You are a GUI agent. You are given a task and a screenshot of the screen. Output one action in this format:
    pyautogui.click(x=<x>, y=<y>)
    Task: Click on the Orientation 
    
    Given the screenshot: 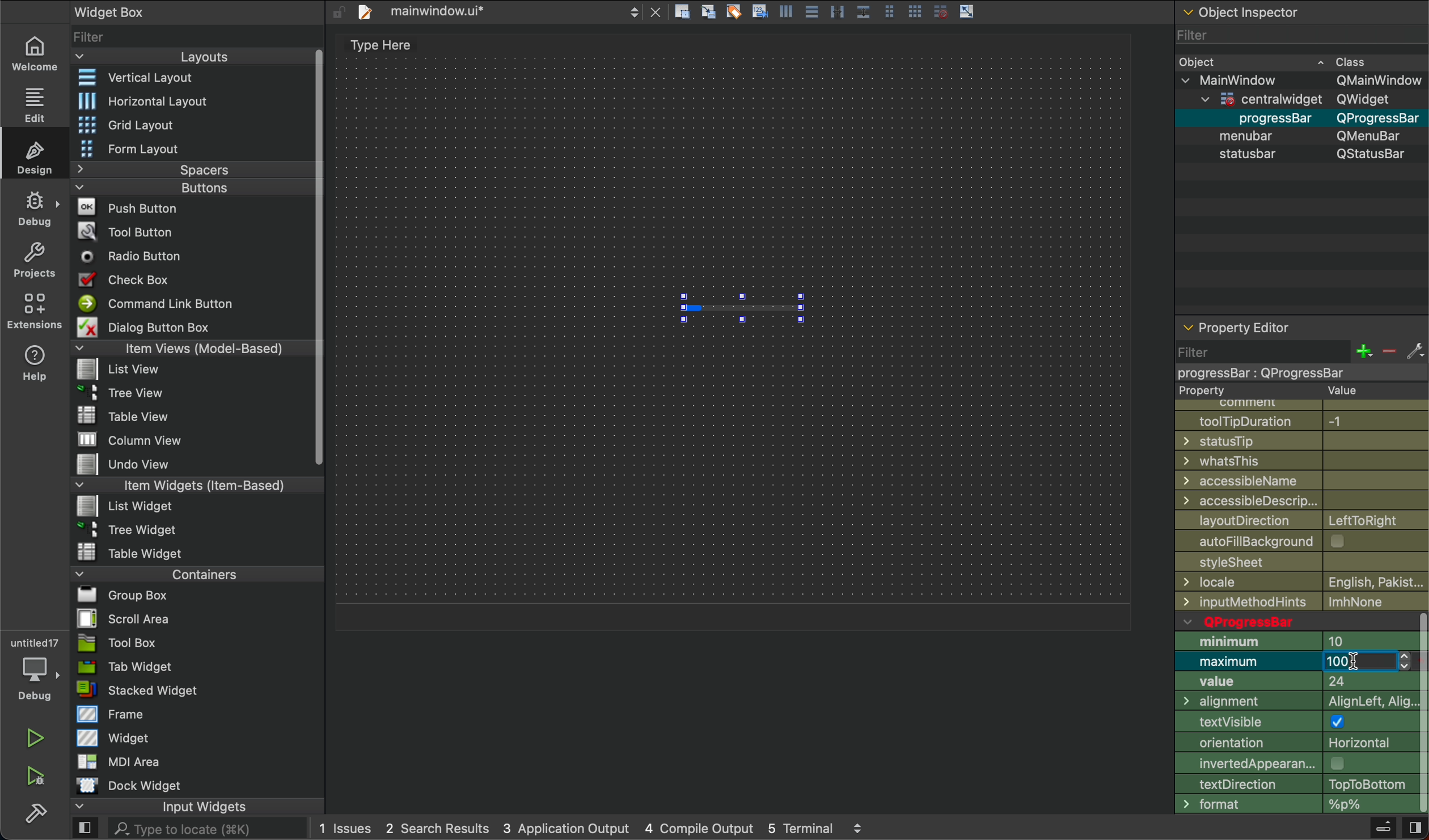 What is the action you would take?
    pyautogui.click(x=1293, y=745)
    